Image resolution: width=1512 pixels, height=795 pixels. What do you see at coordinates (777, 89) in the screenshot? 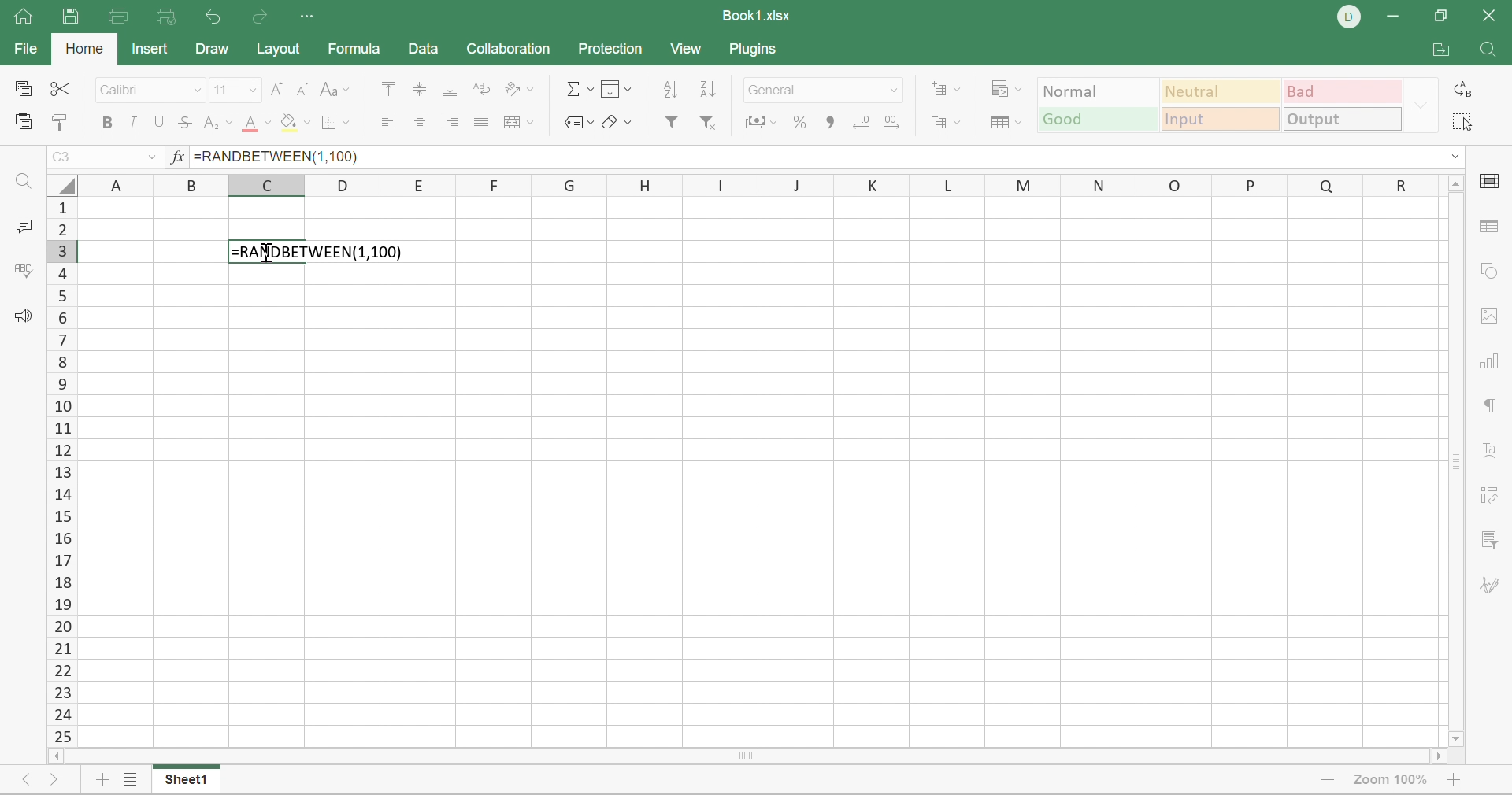
I see `Number format` at bounding box center [777, 89].